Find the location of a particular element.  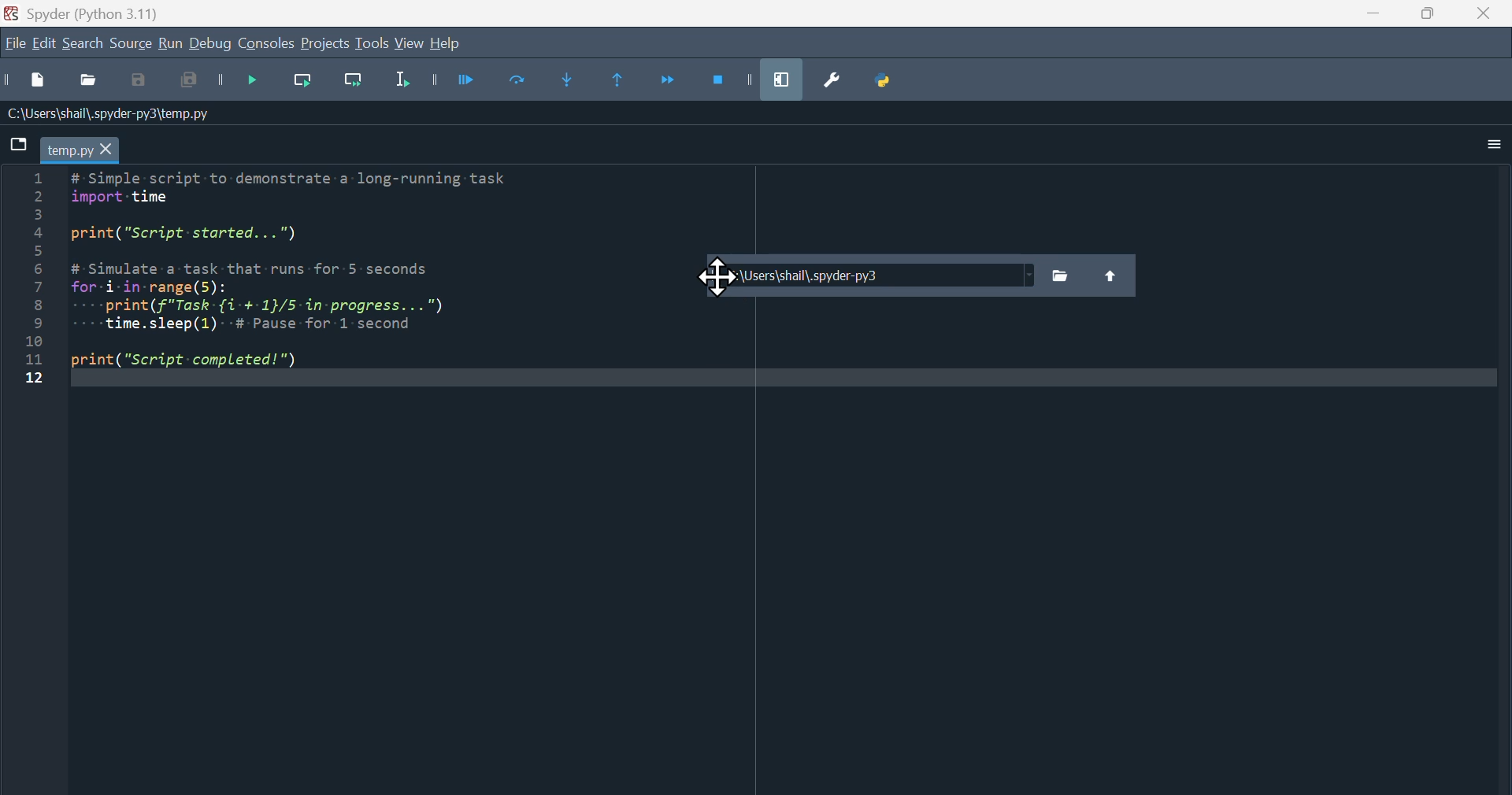

Maximise current window is located at coordinates (786, 79).